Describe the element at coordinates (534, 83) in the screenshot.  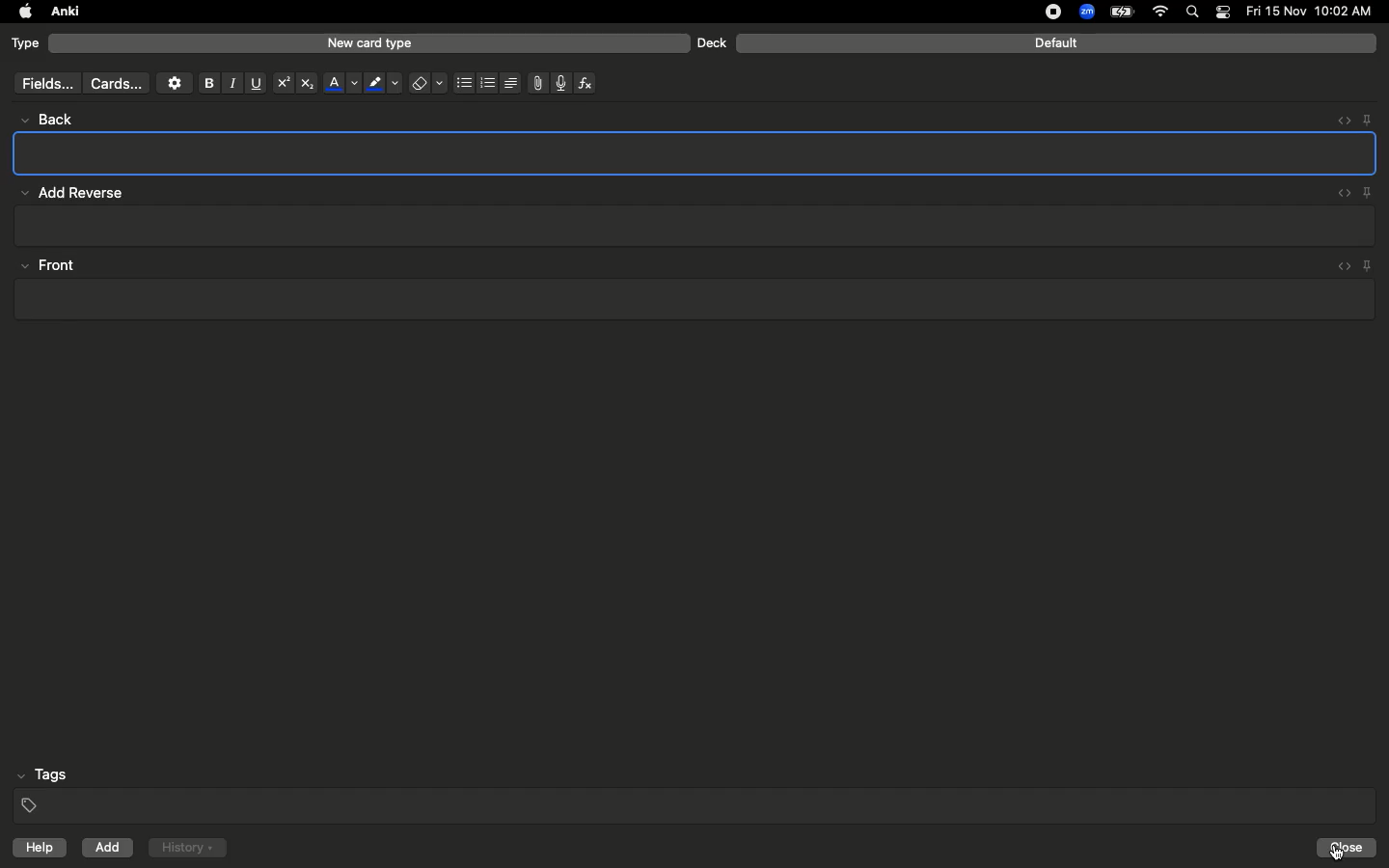
I see `File` at that location.